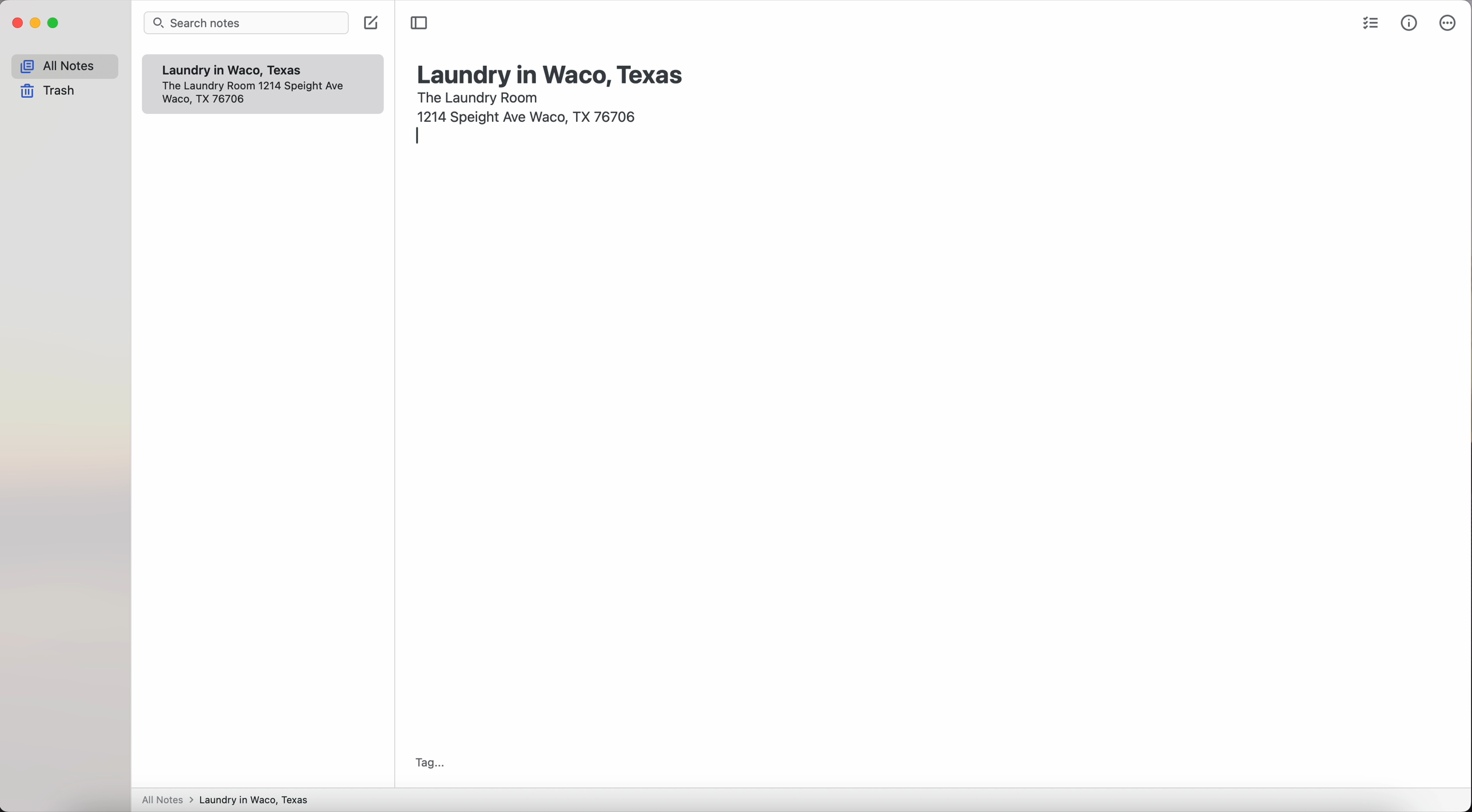  Describe the element at coordinates (65, 66) in the screenshot. I see `all notes` at that location.